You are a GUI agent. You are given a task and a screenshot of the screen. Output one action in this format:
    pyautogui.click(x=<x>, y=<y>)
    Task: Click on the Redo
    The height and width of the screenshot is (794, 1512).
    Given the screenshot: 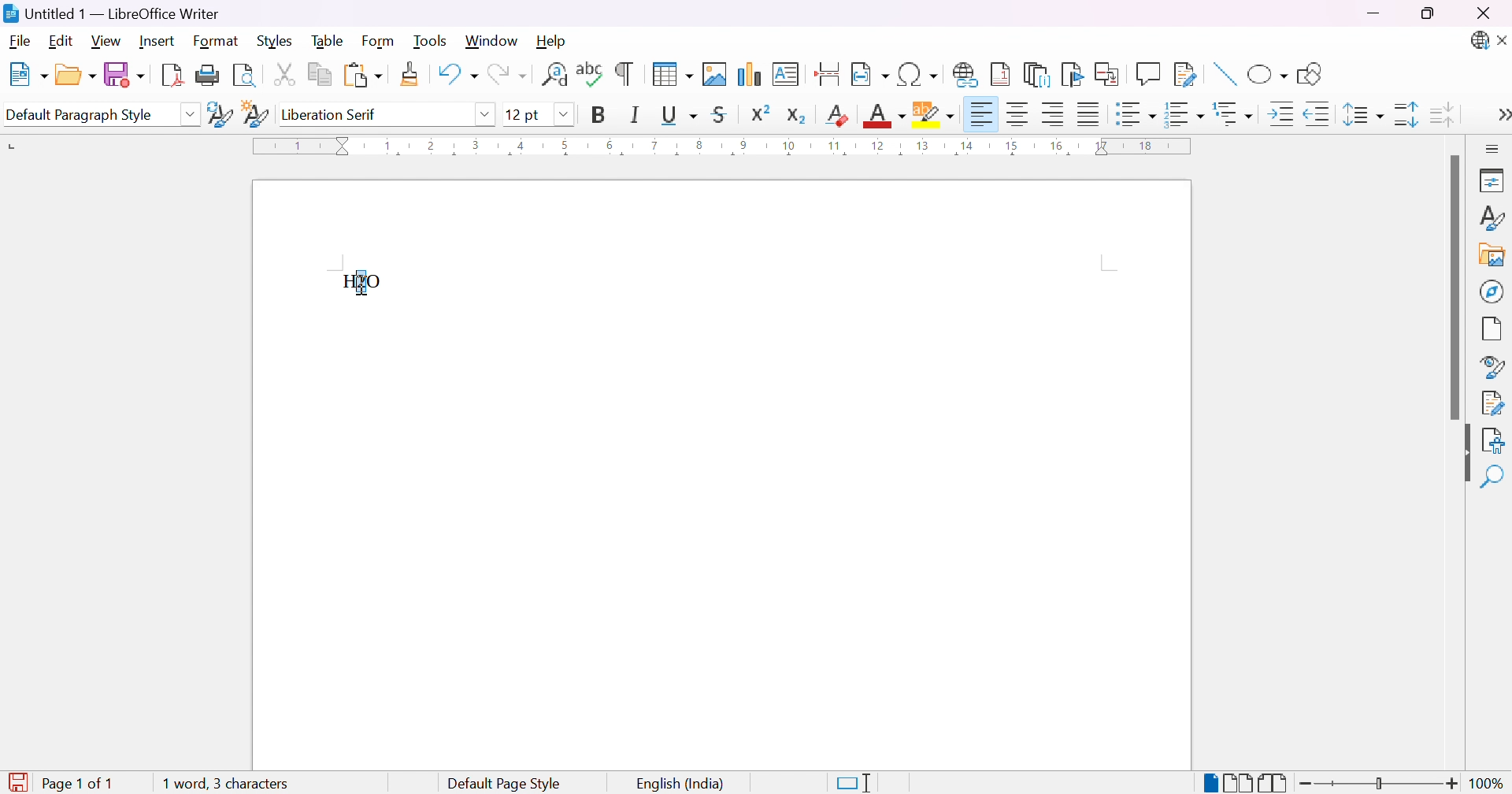 What is the action you would take?
    pyautogui.click(x=506, y=78)
    